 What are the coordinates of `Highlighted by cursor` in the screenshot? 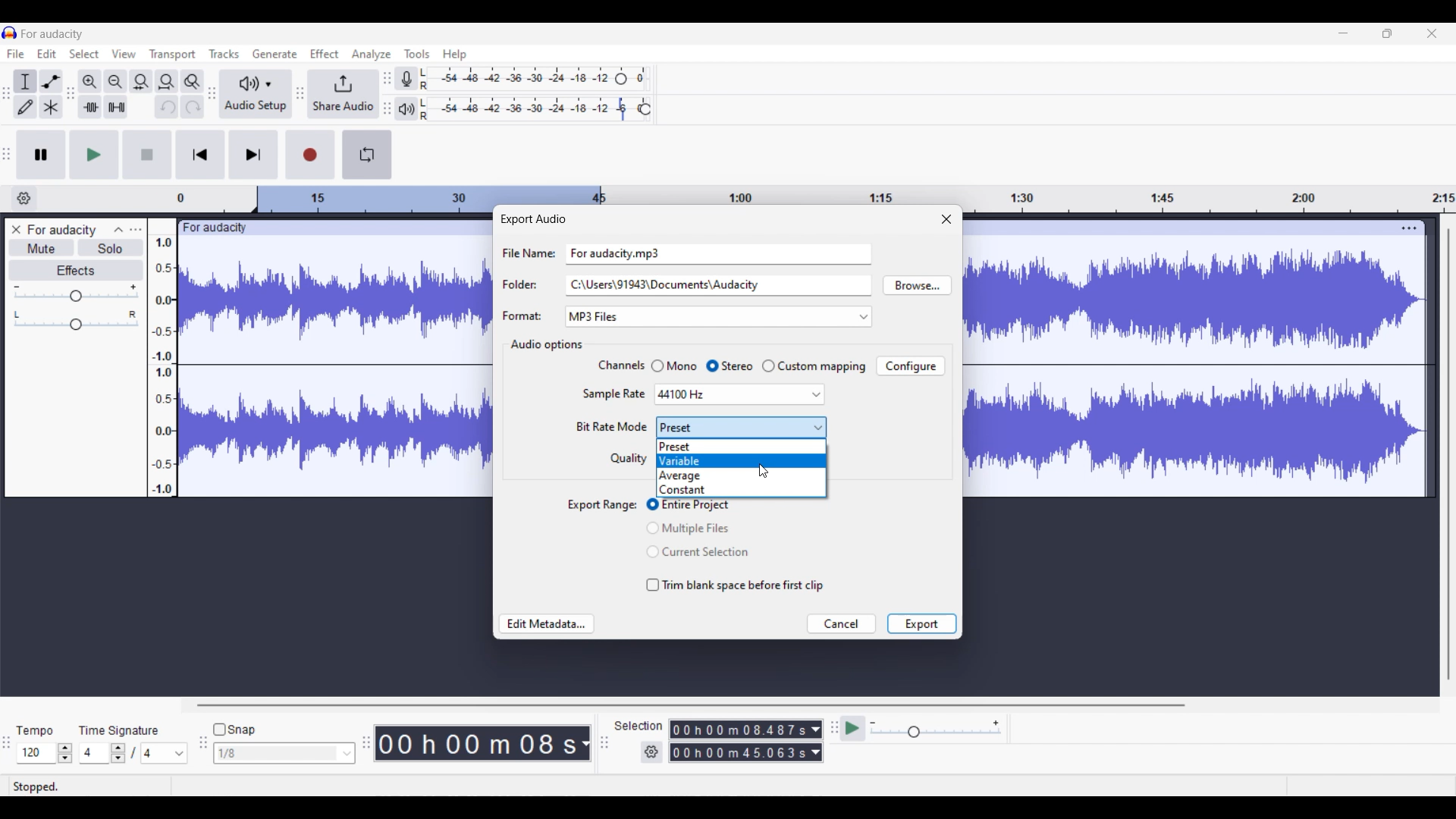 It's located at (741, 427).